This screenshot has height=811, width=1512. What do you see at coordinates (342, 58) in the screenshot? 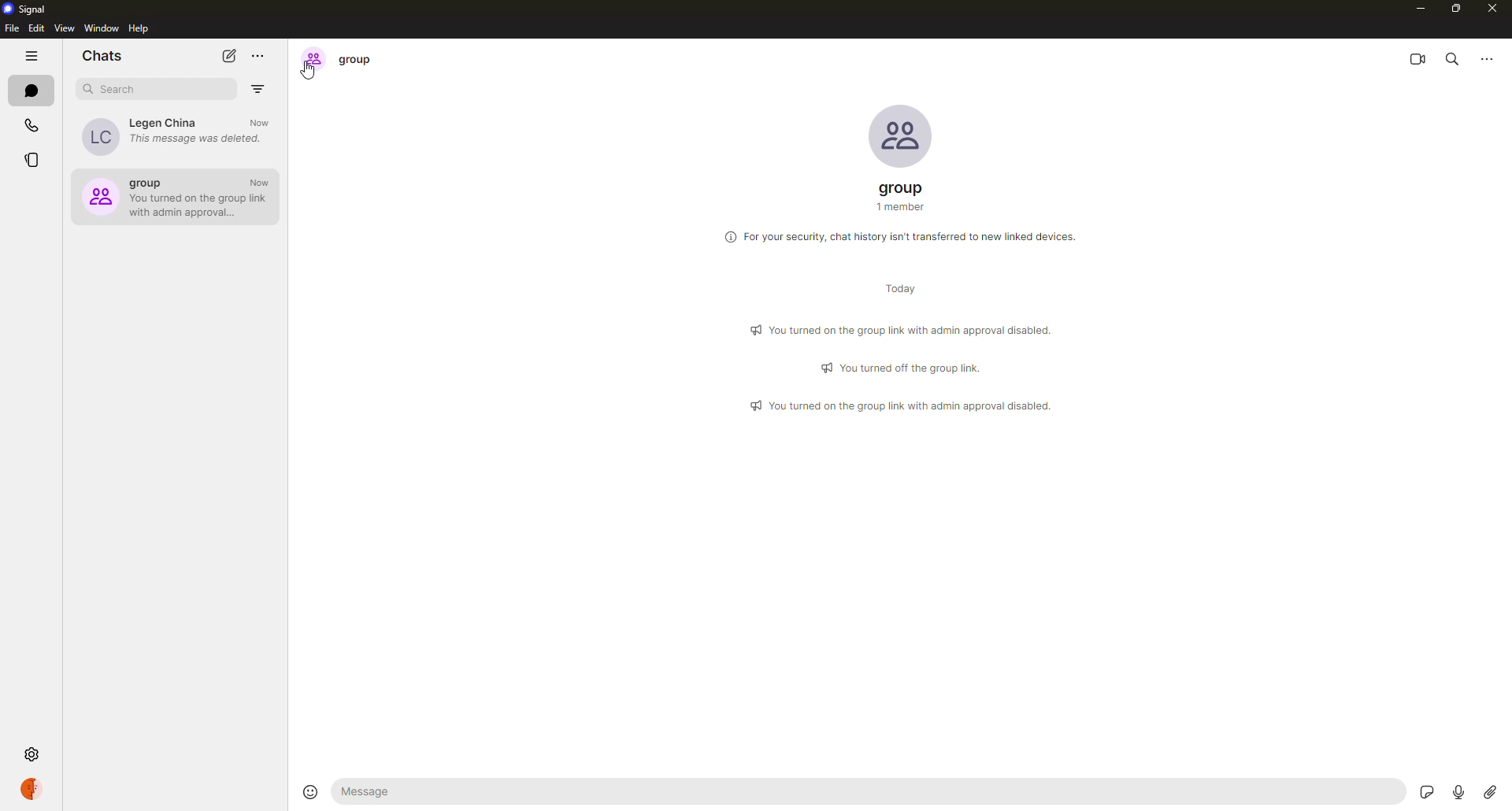
I see `group` at bounding box center [342, 58].